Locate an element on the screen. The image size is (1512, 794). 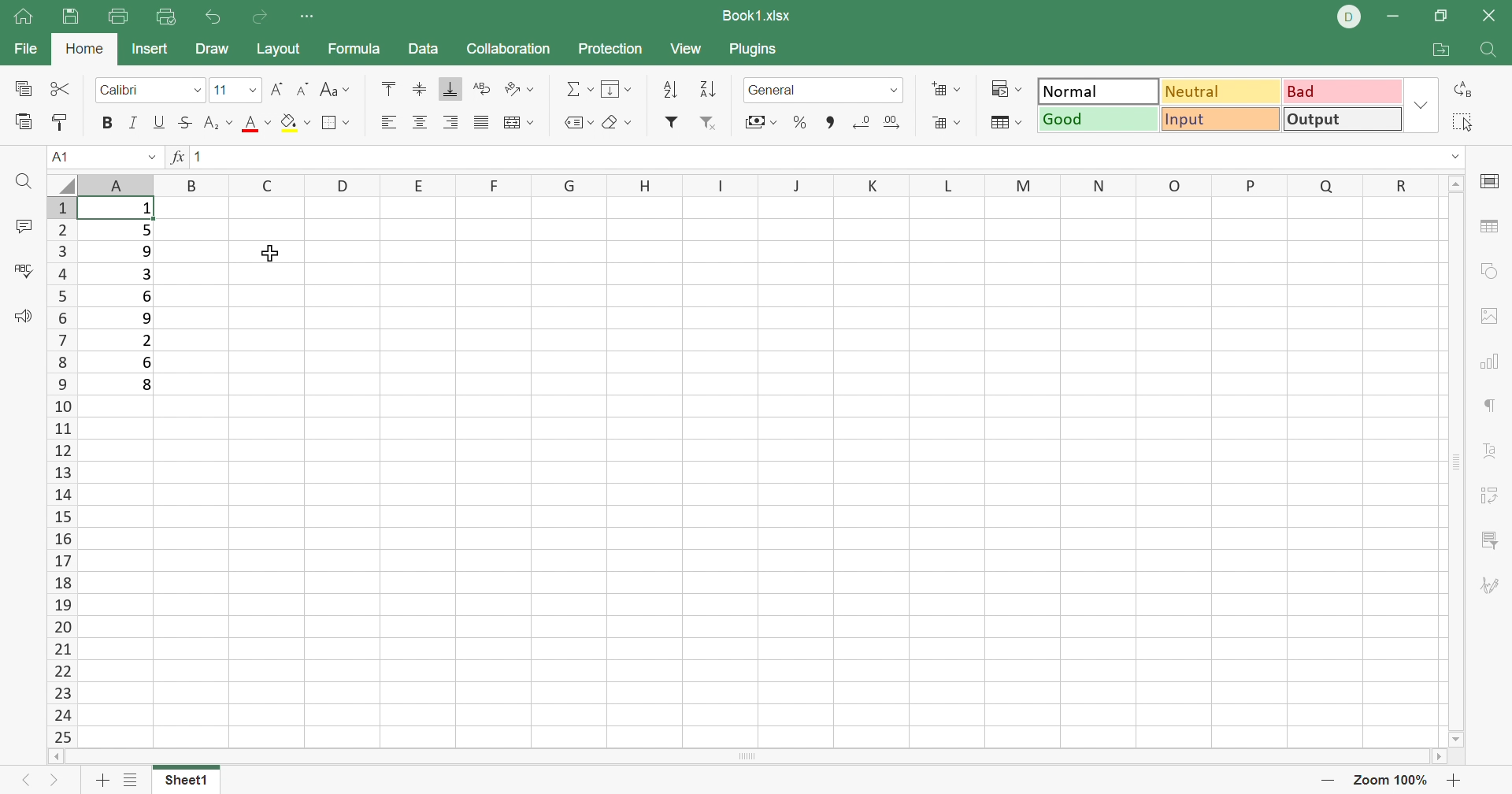
Layout is located at coordinates (279, 48).